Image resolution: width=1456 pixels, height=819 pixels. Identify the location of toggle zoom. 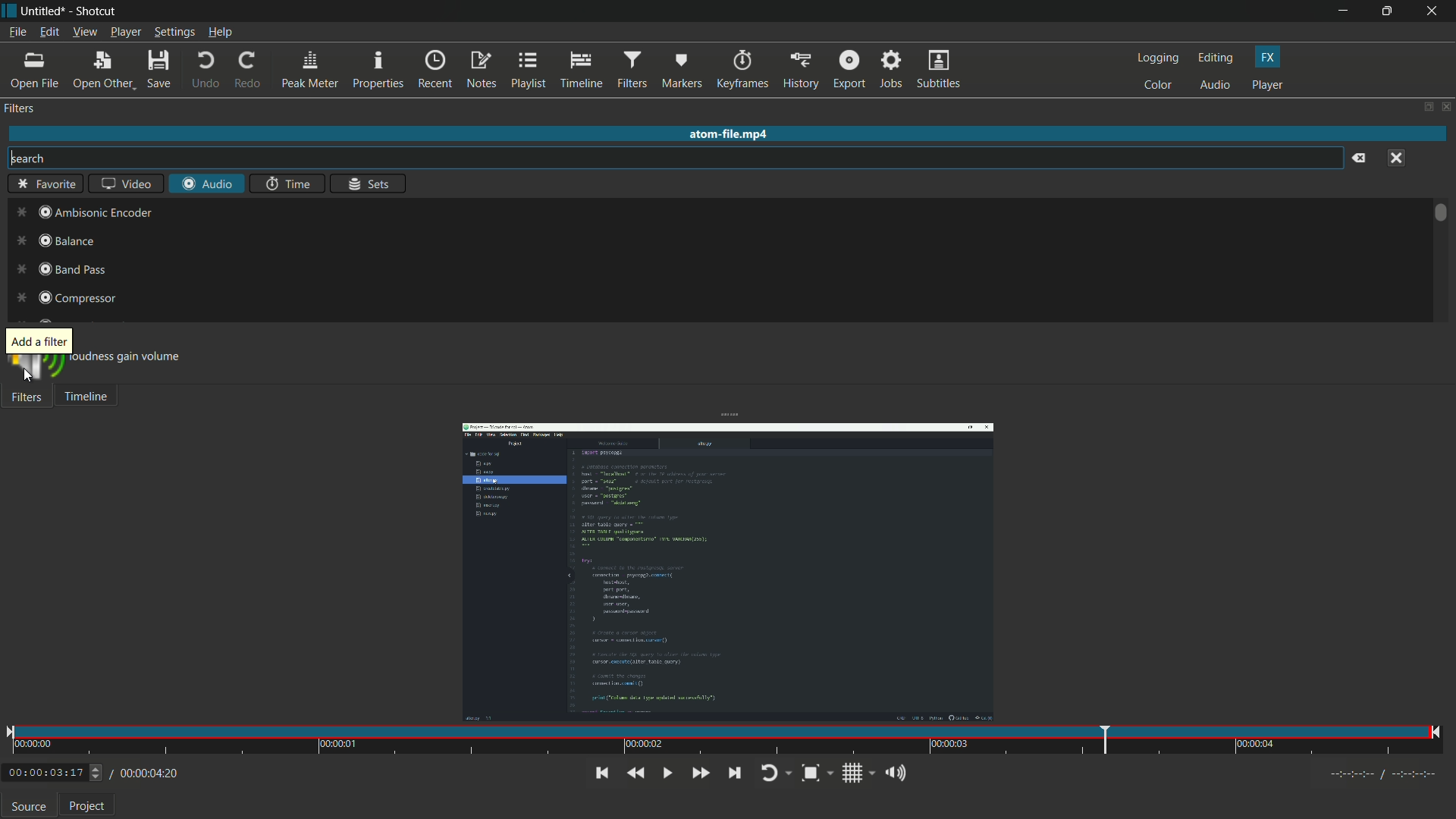
(817, 774).